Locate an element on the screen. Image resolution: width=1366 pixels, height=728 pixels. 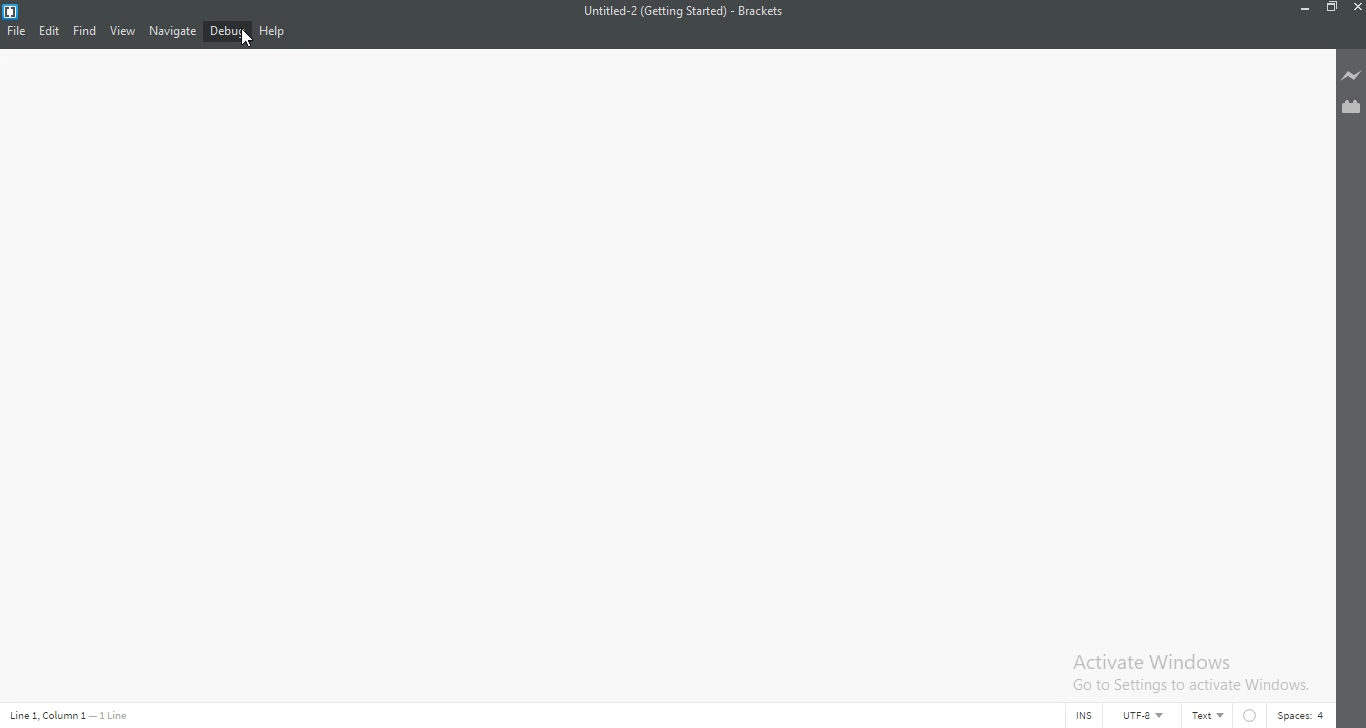
navigate is located at coordinates (172, 31).